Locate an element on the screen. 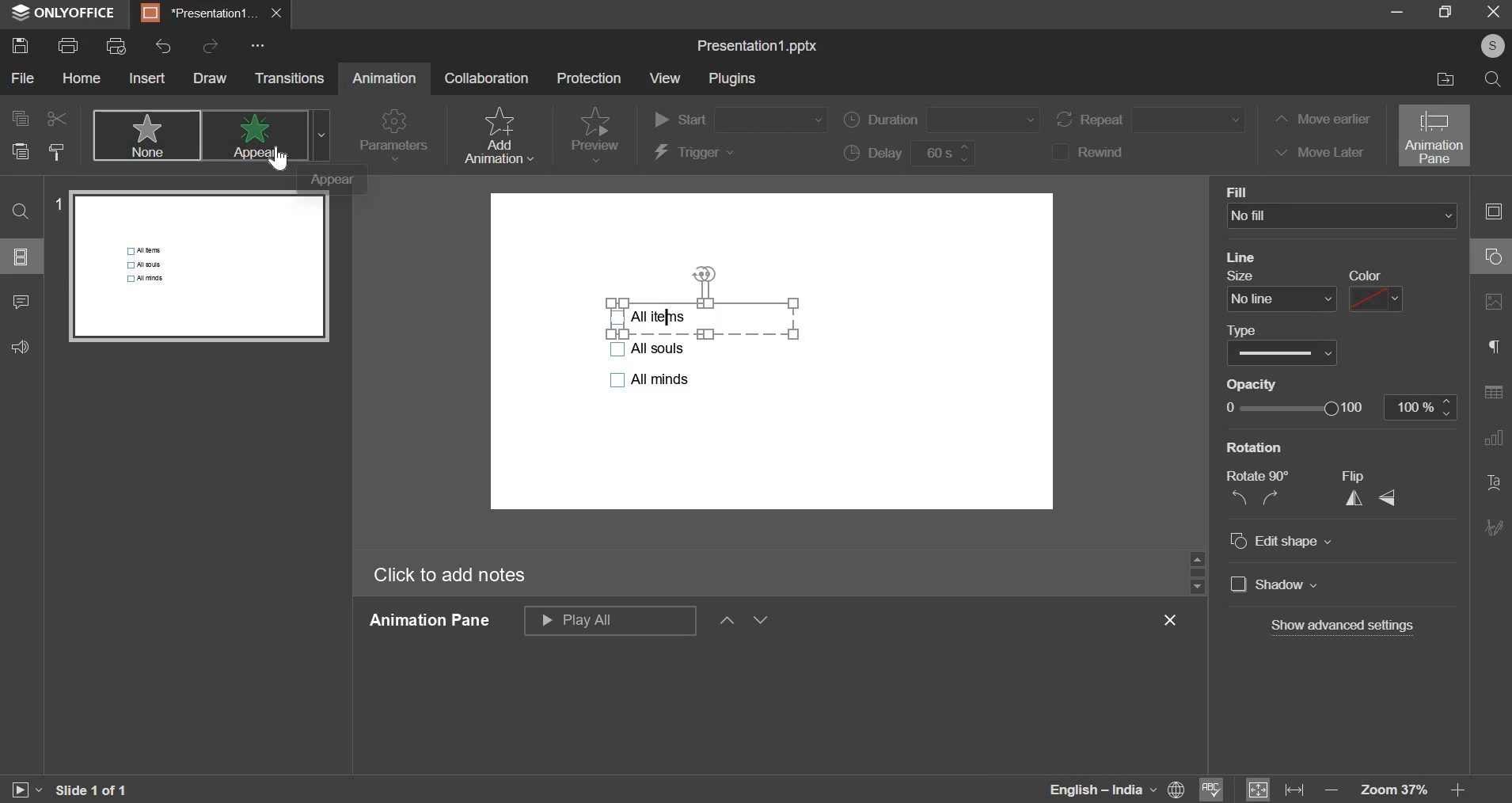  slide is located at coordinates (23, 257).